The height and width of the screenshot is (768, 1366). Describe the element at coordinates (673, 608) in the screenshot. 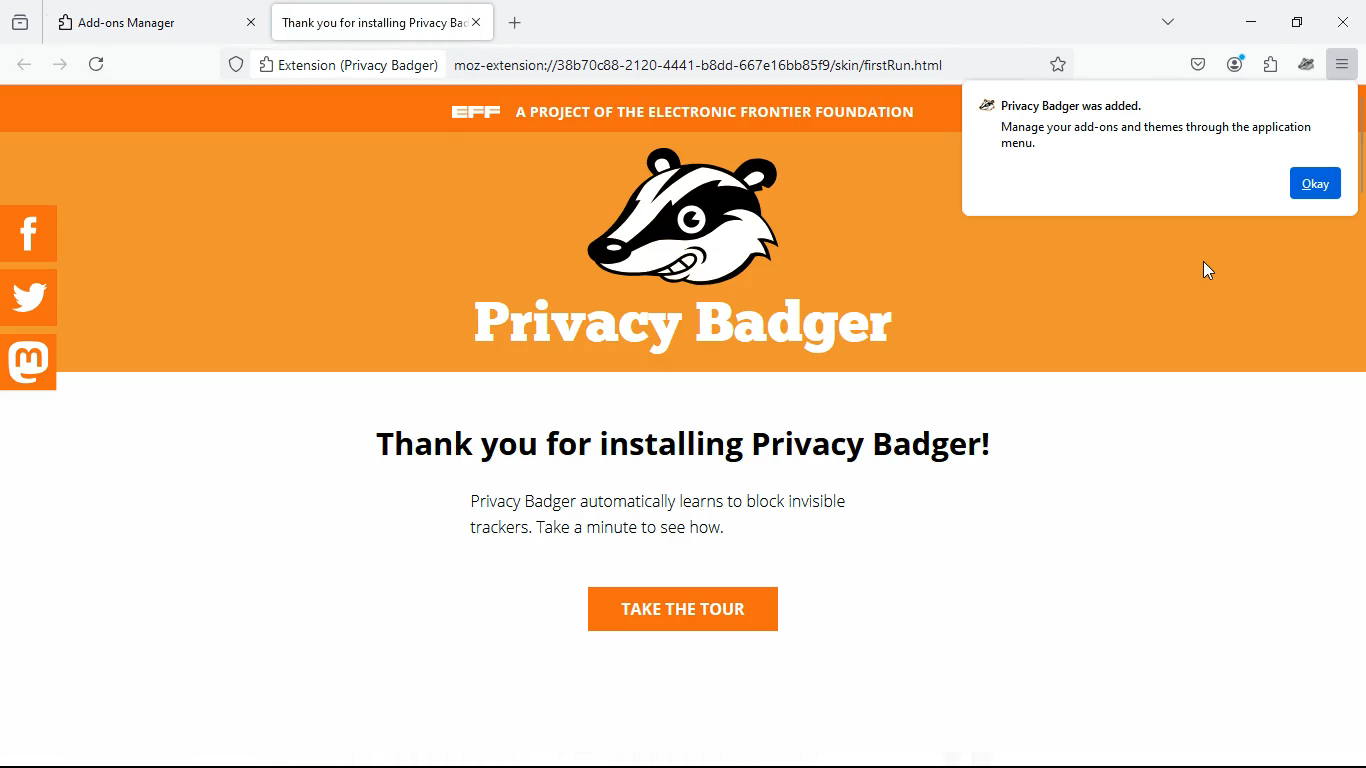

I see `take the tour` at that location.